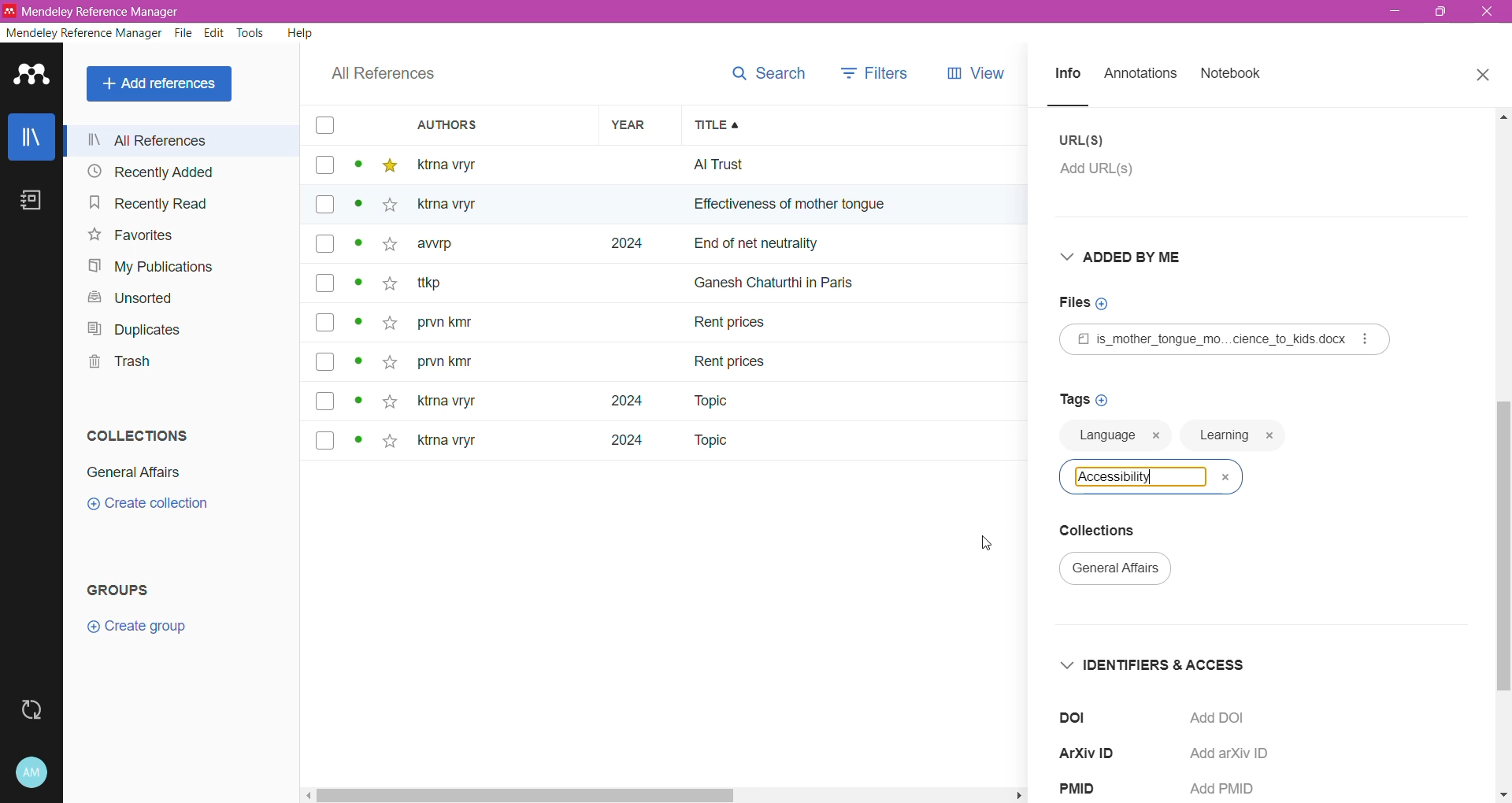  I want to click on Recently Added, so click(176, 171).